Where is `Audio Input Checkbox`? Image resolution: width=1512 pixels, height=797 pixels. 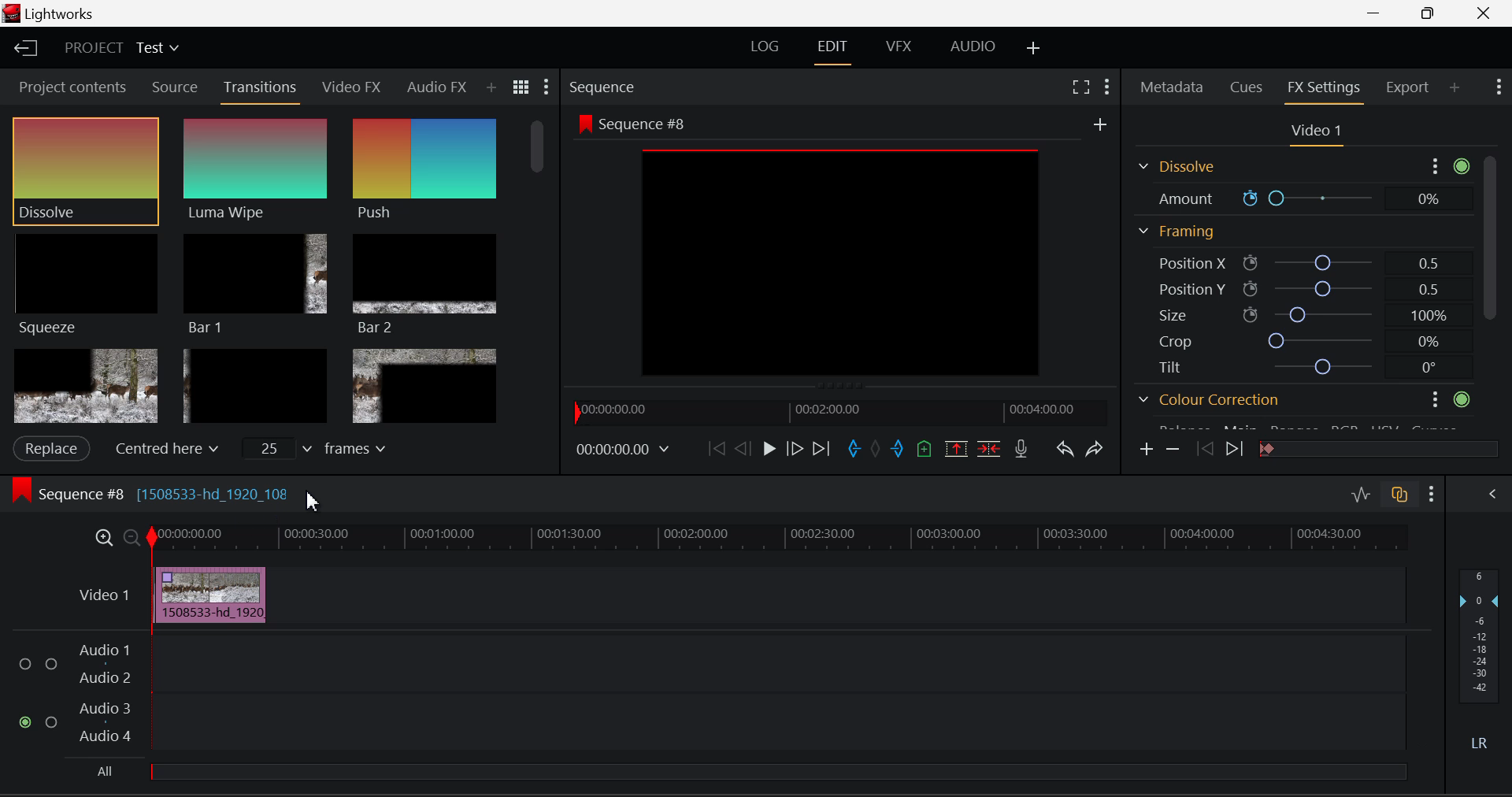
Audio Input Checkbox is located at coordinates (51, 662).